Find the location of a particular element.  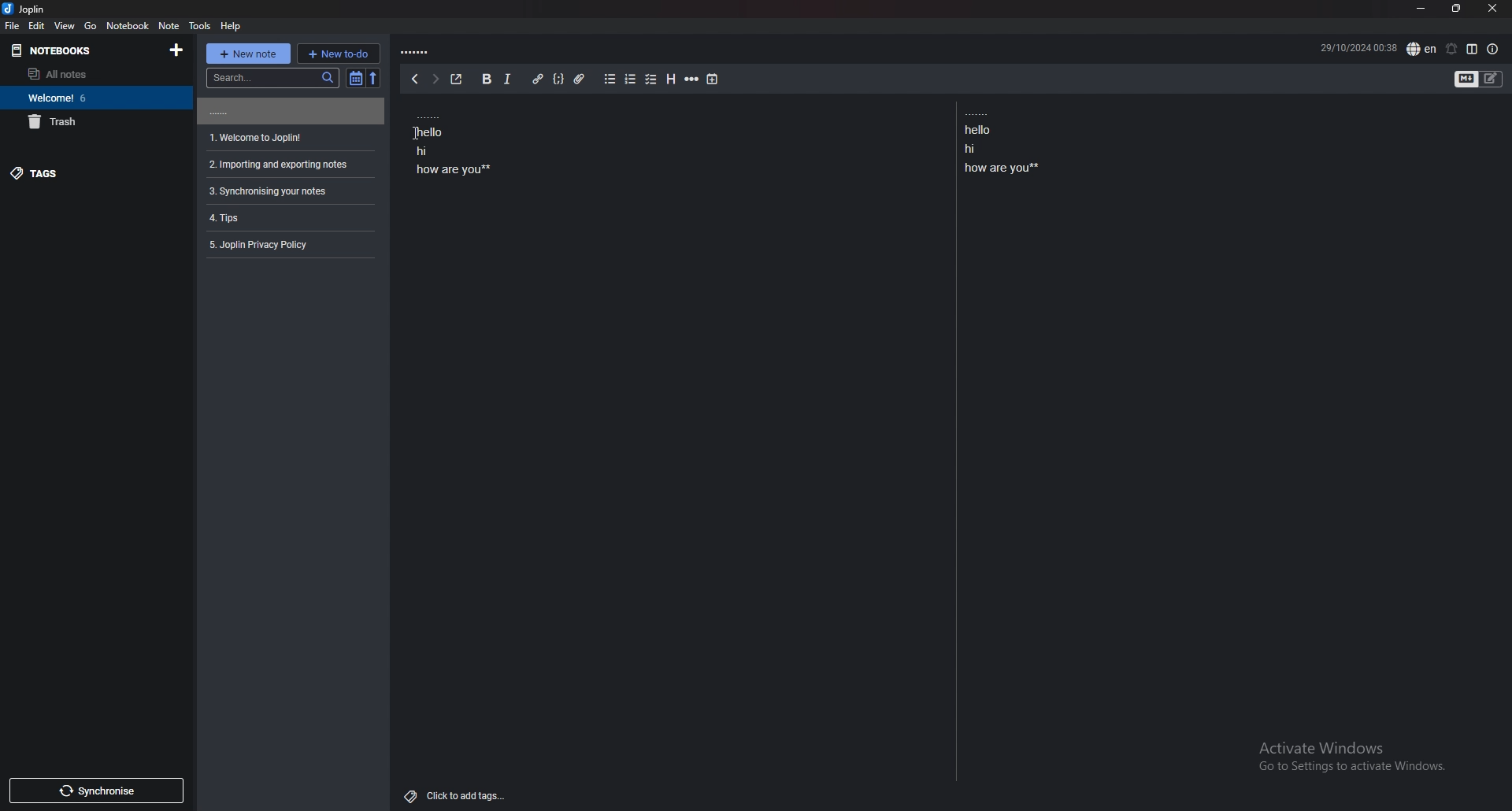

search bar is located at coordinates (272, 77).